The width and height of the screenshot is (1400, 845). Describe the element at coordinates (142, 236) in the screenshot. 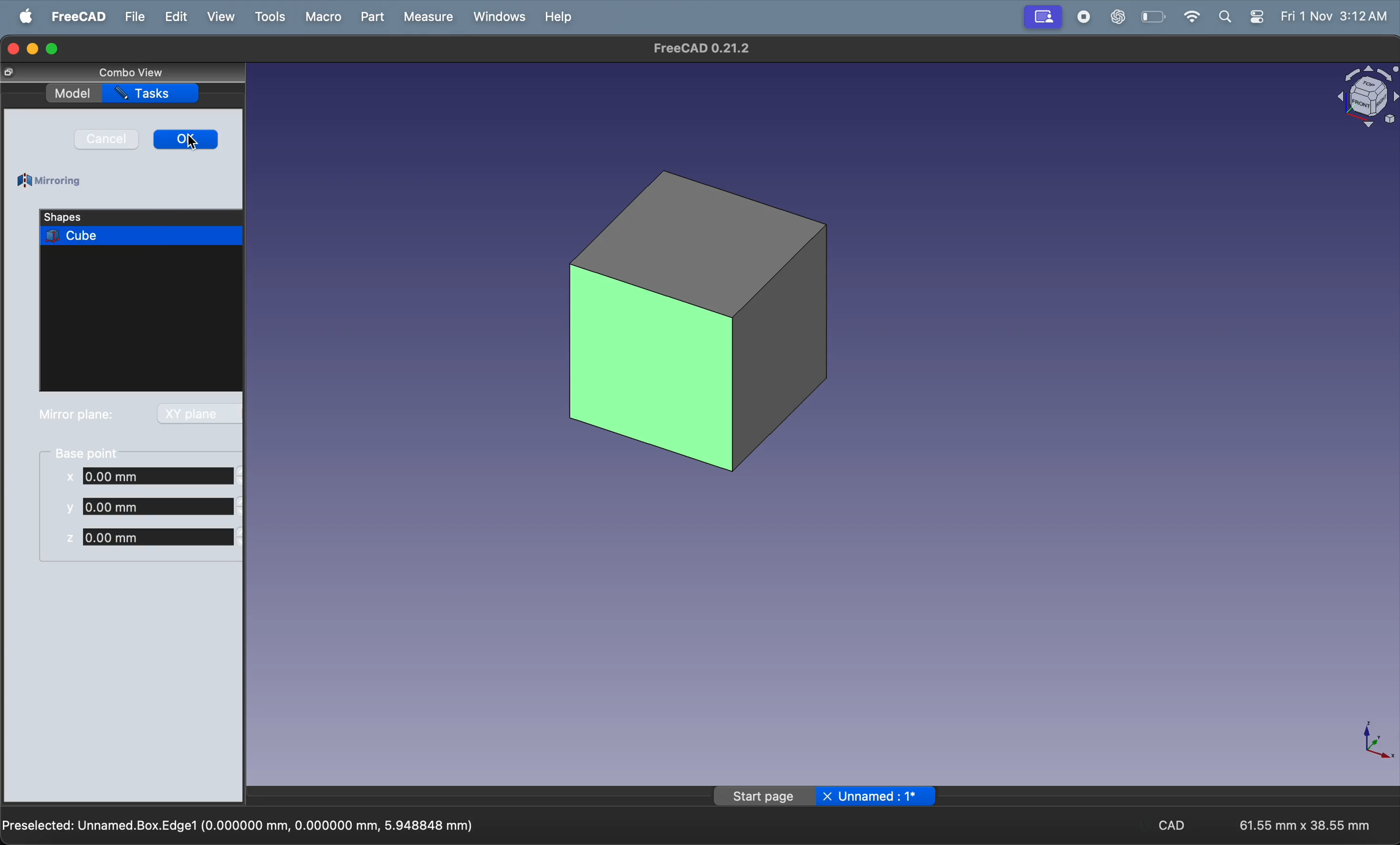

I see `cube` at that location.